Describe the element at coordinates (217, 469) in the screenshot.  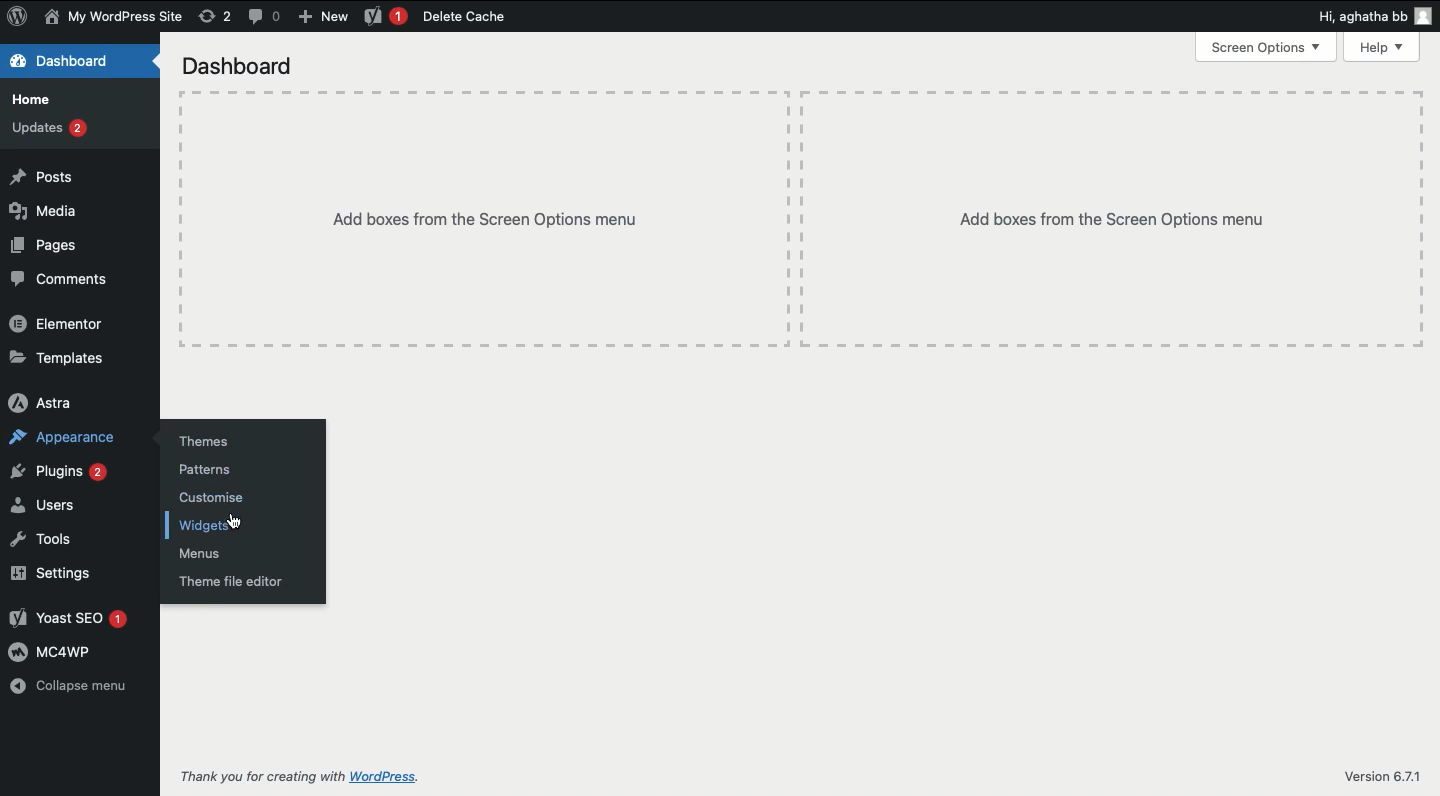
I see `Patterns` at that location.